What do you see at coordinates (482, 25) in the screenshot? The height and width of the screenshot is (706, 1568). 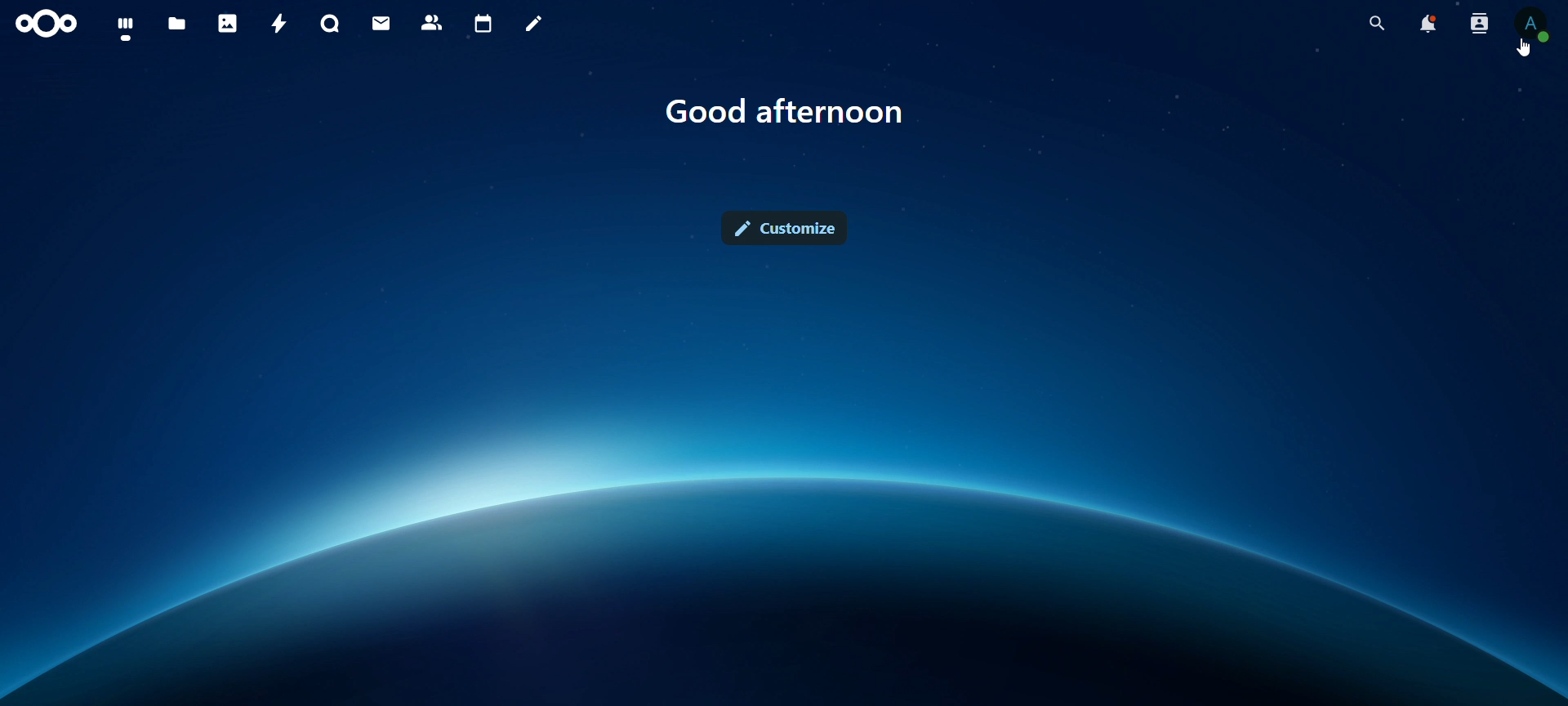 I see `calendar` at bounding box center [482, 25].